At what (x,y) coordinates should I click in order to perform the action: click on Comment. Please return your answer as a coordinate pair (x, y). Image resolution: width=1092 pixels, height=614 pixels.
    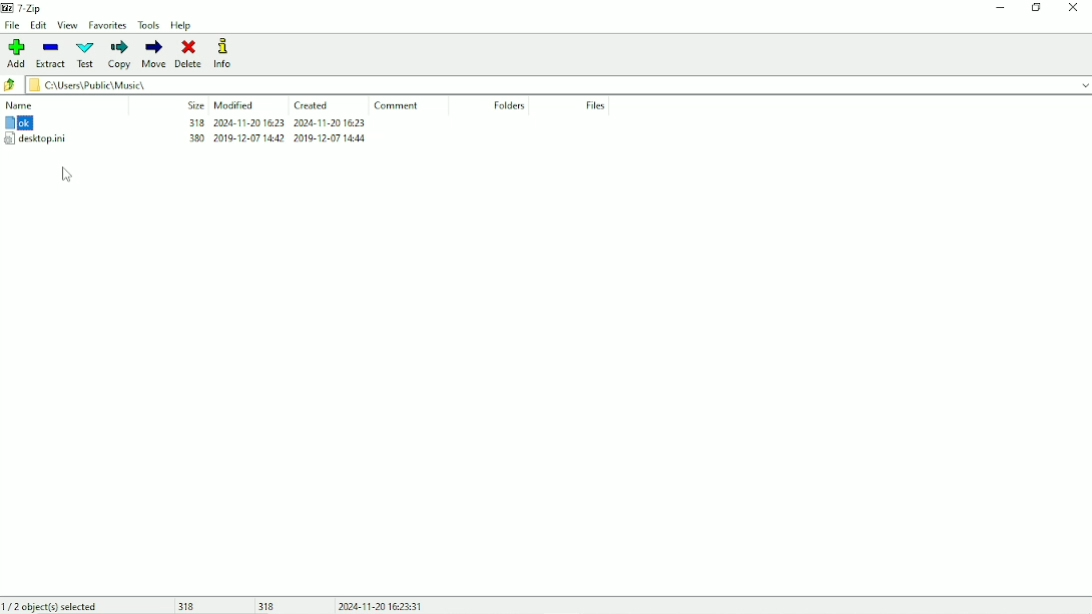
    Looking at the image, I should click on (397, 106).